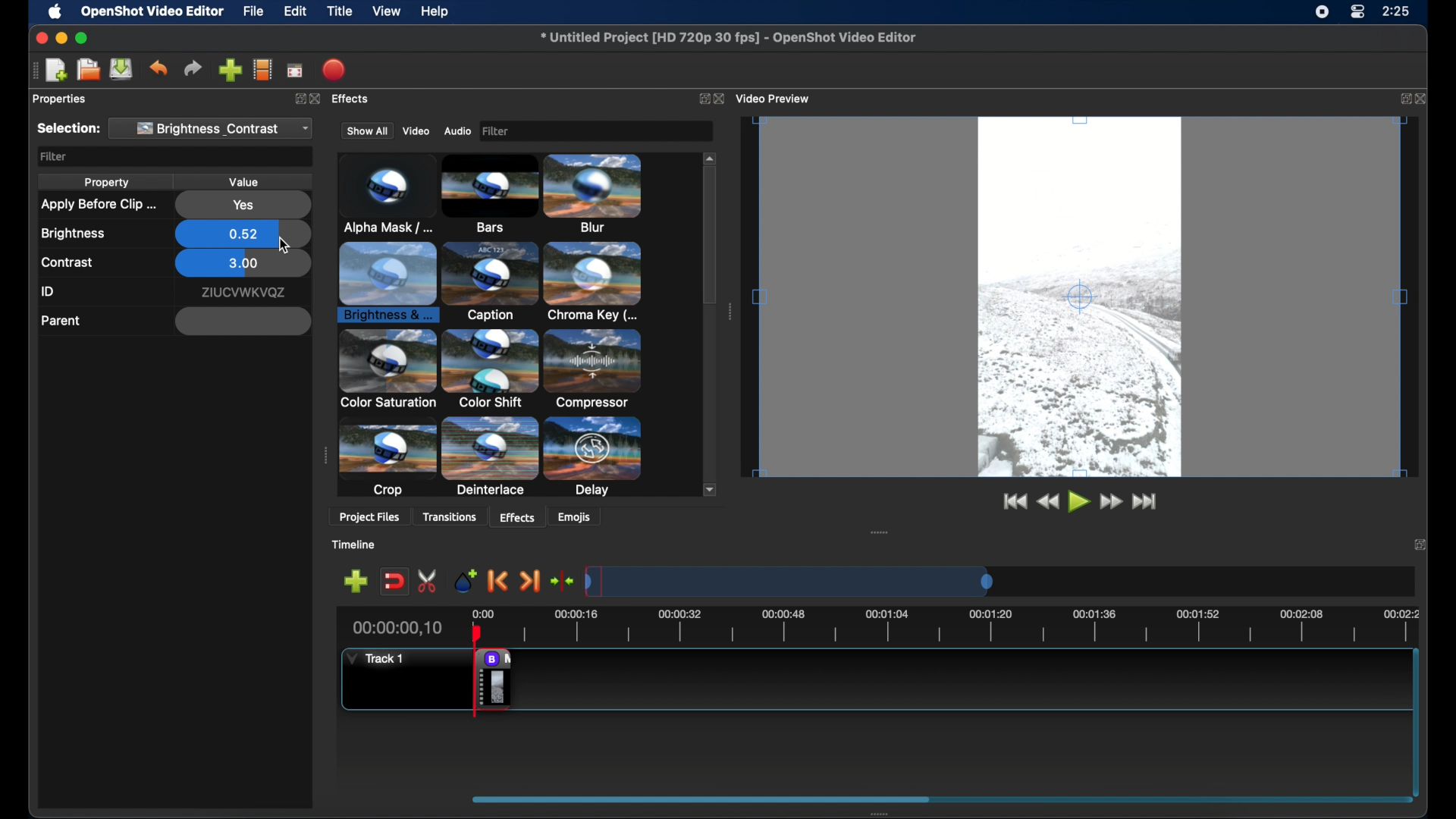 The height and width of the screenshot is (819, 1456). Describe the element at coordinates (597, 456) in the screenshot. I see `hue` at that location.